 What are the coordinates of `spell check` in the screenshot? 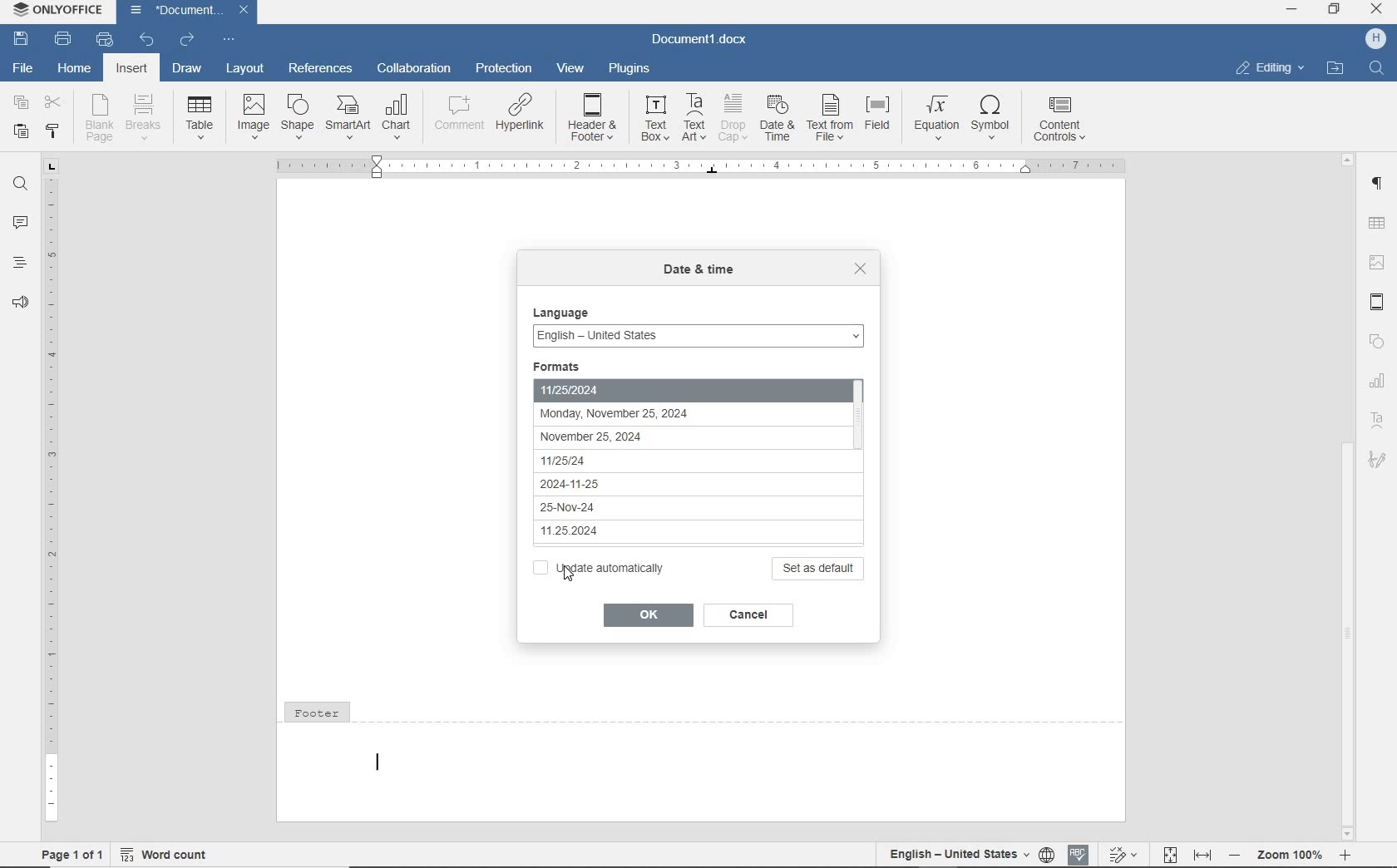 It's located at (1079, 856).